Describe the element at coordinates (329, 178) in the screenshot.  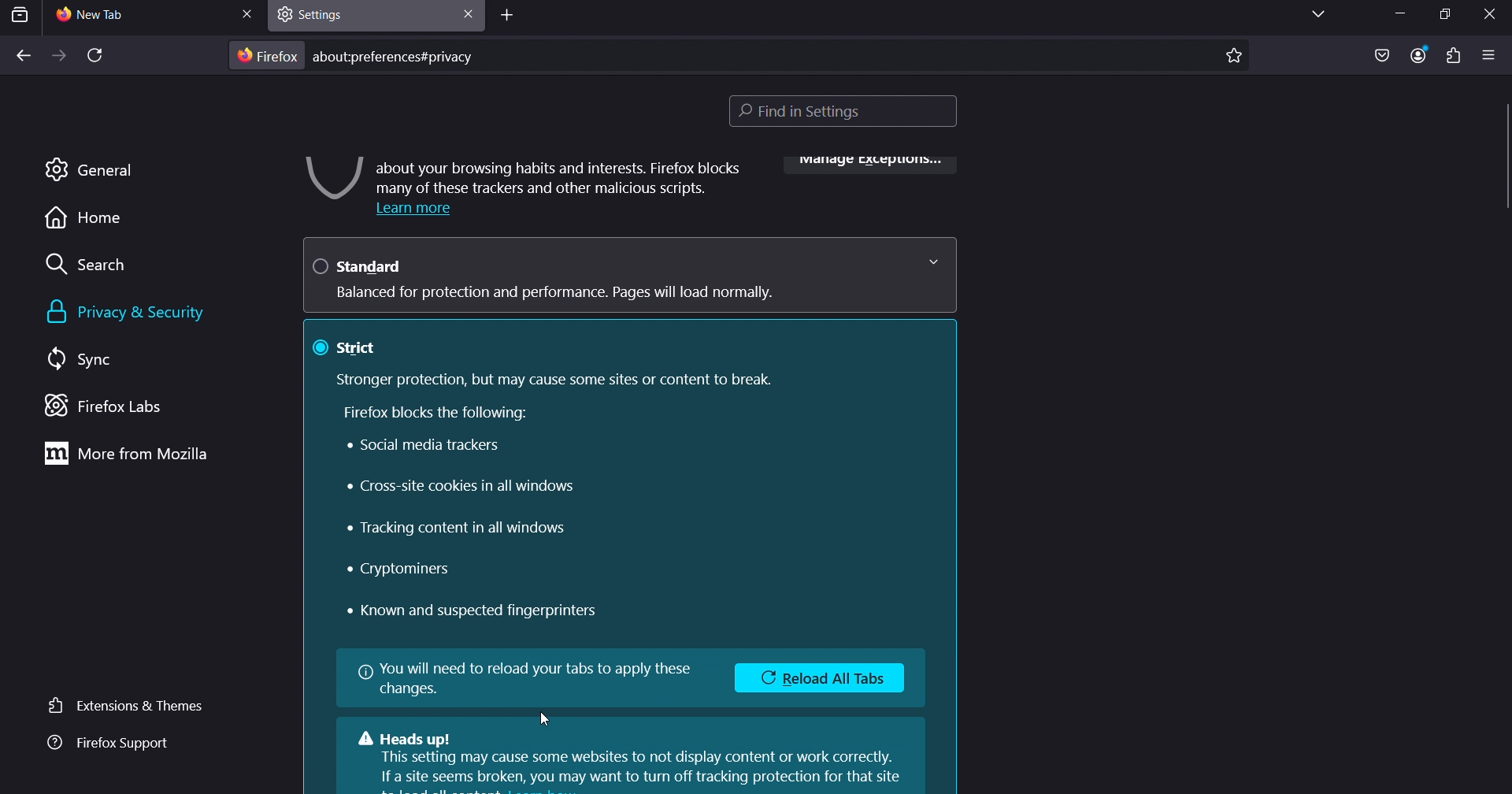
I see `image` at that location.